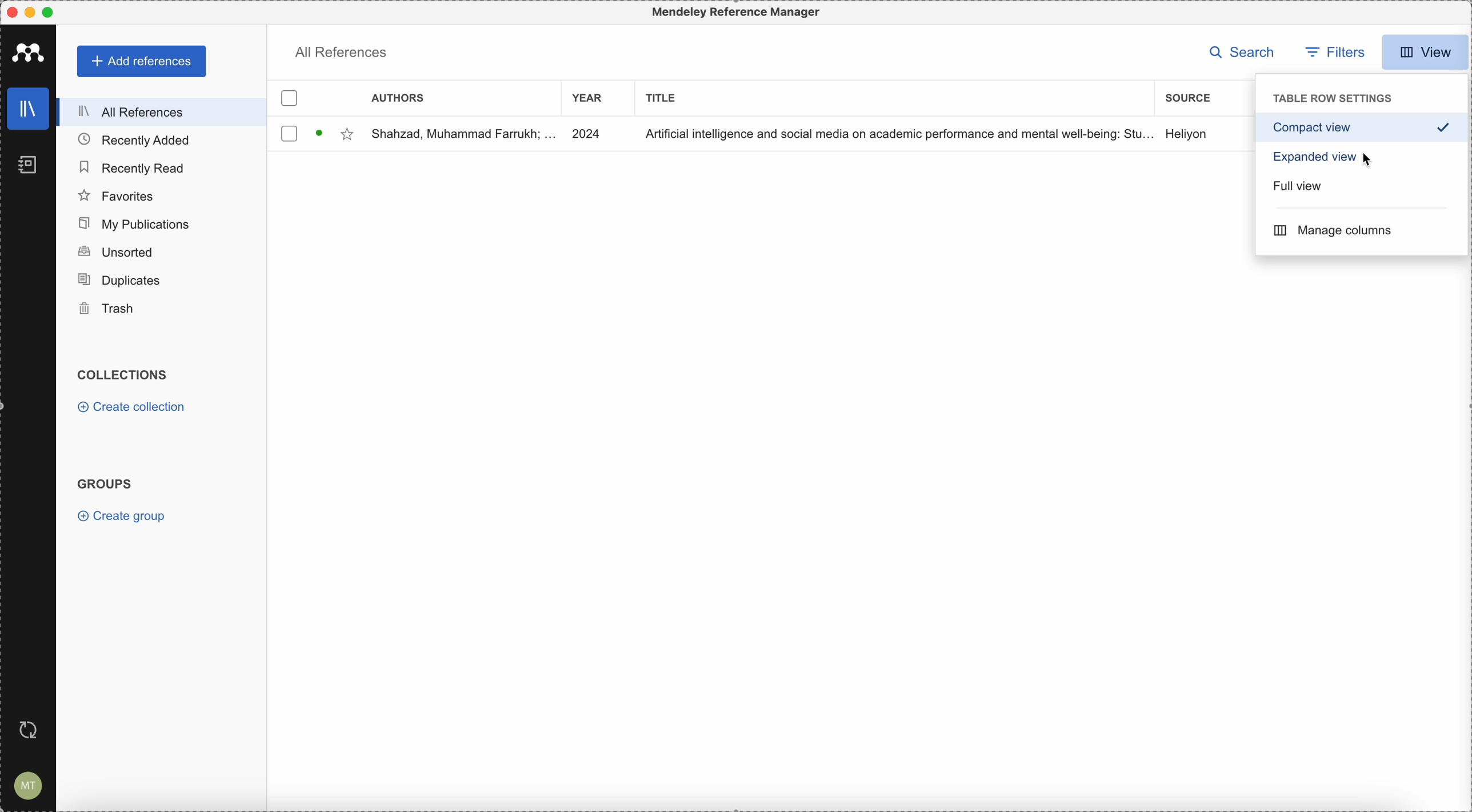 The image size is (1472, 812). Describe the element at coordinates (463, 135) in the screenshot. I see `Shahzad, Muhammad Farrukh` at that location.